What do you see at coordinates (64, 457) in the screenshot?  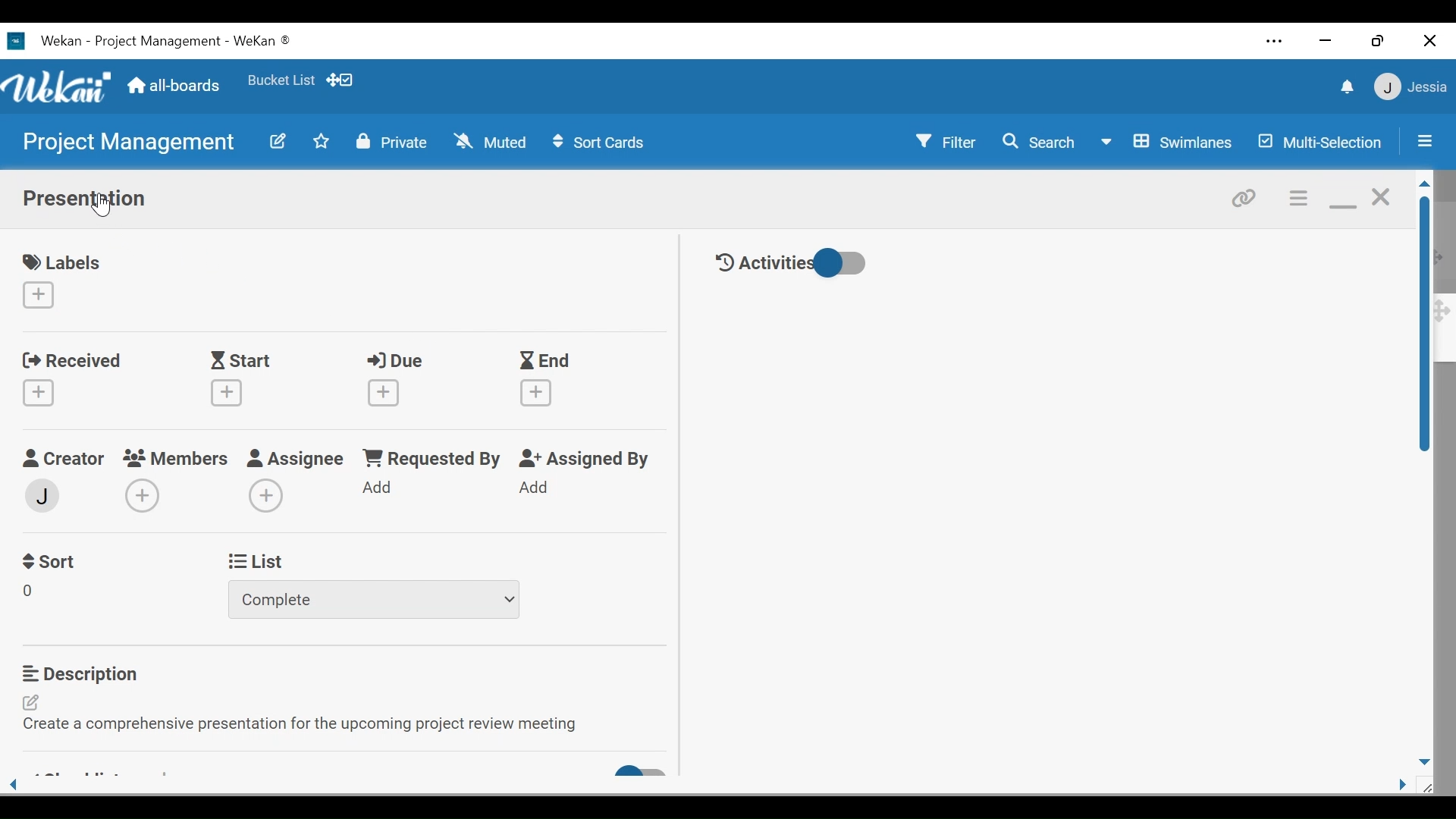 I see `Creator` at bounding box center [64, 457].